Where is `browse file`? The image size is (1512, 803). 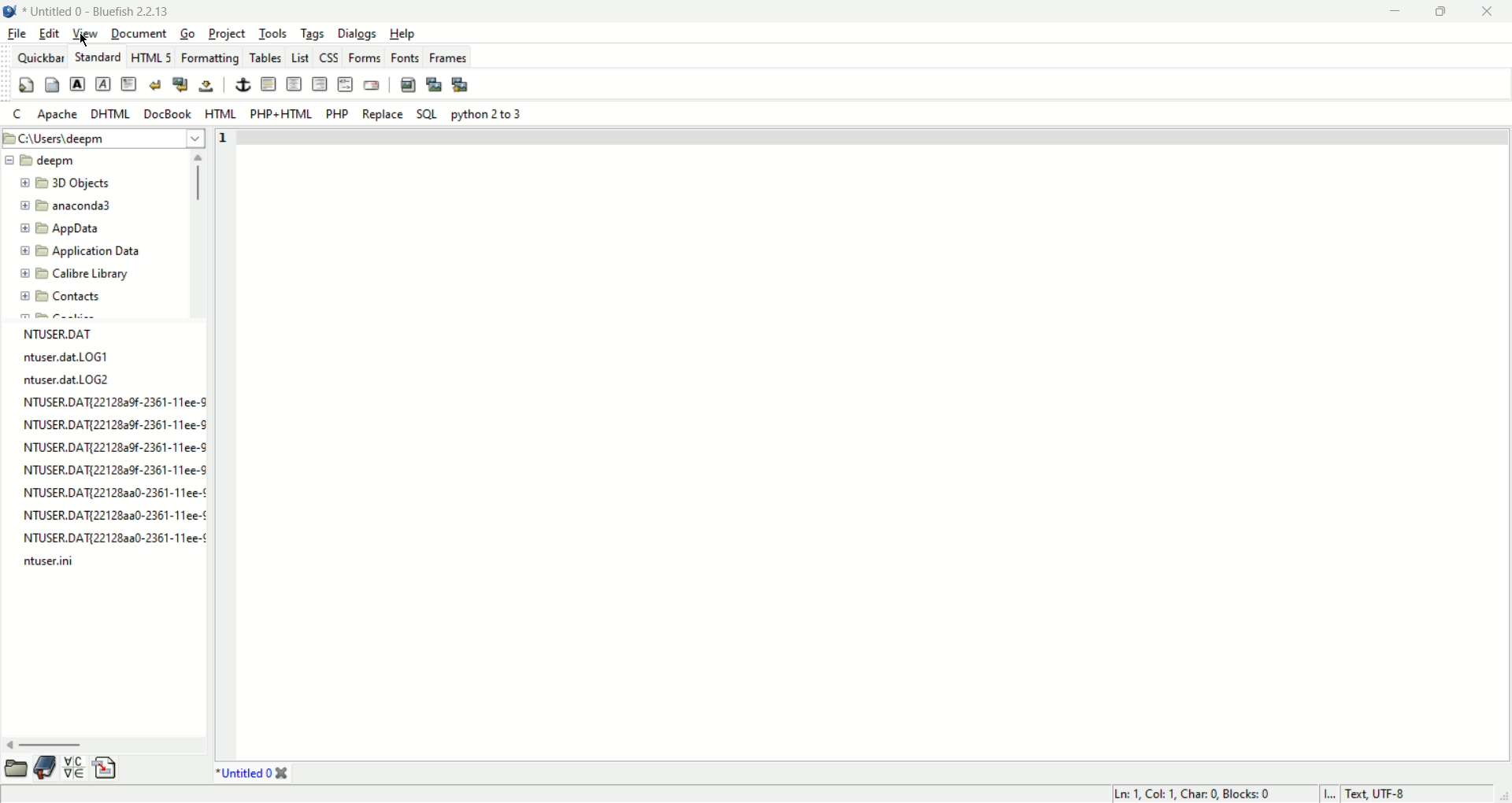
browse file is located at coordinates (17, 768).